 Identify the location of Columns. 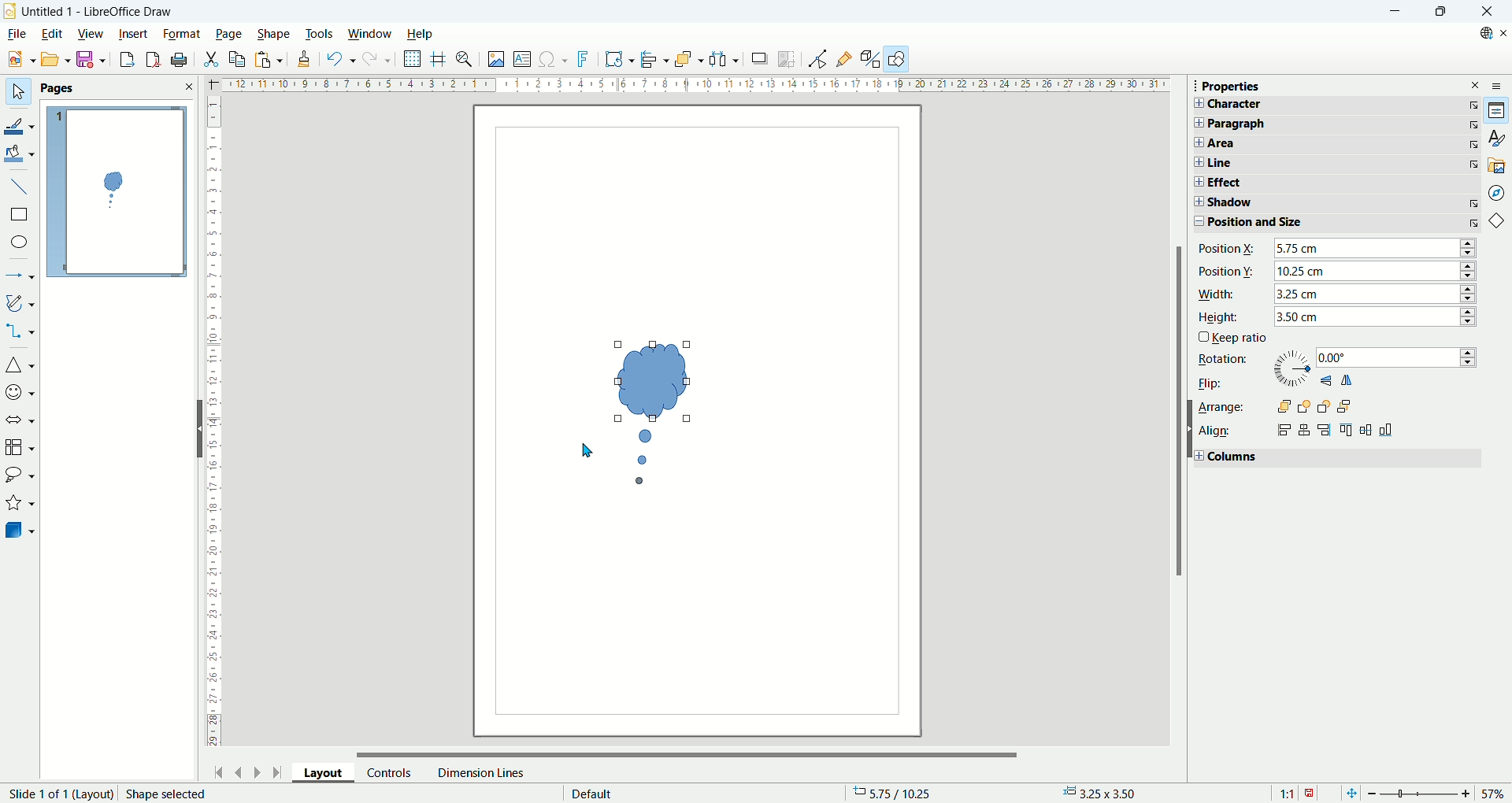
(1236, 457).